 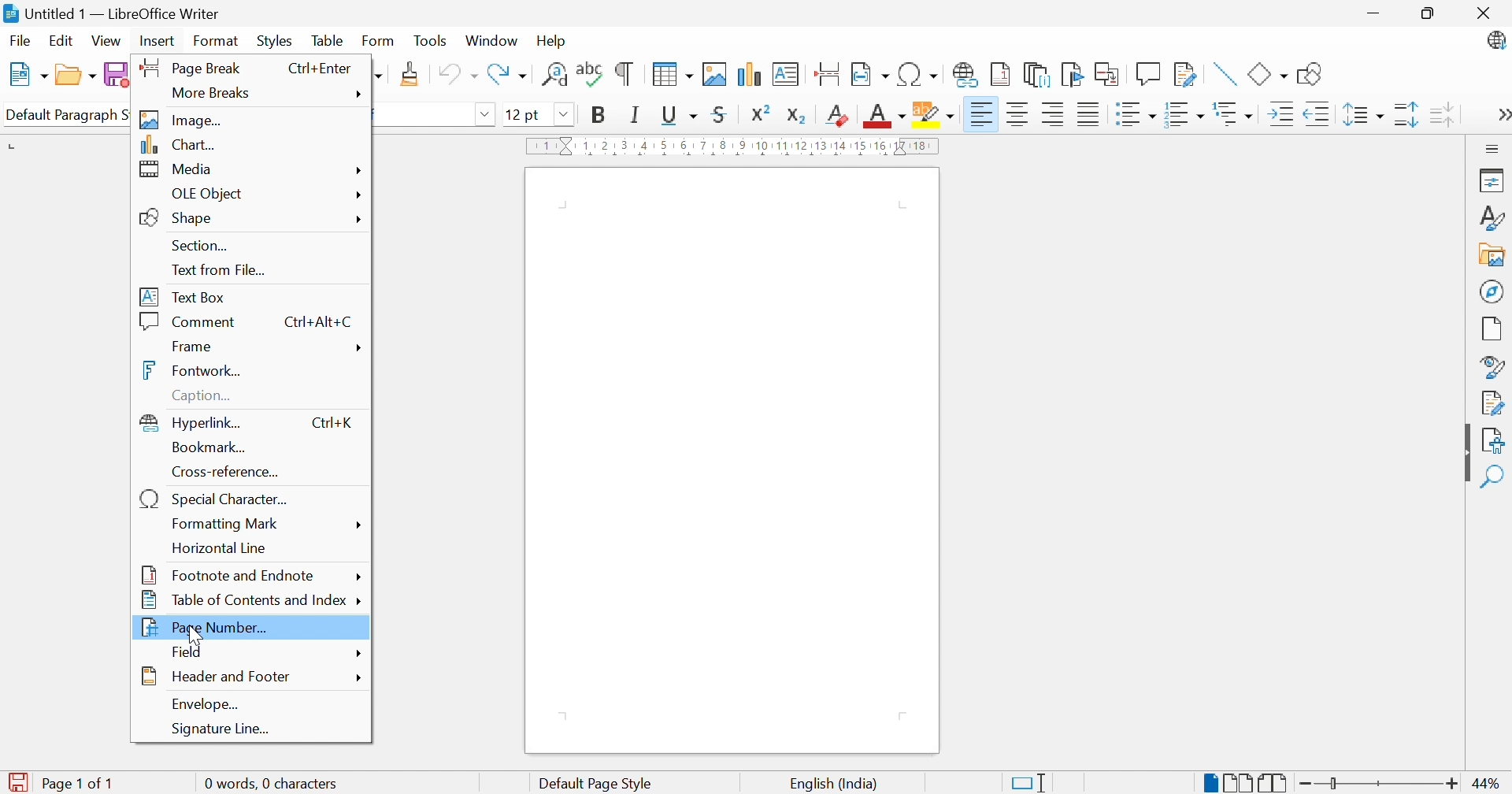 What do you see at coordinates (202, 629) in the screenshot?
I see `pointer cursor` at bounding box center [202, 629].